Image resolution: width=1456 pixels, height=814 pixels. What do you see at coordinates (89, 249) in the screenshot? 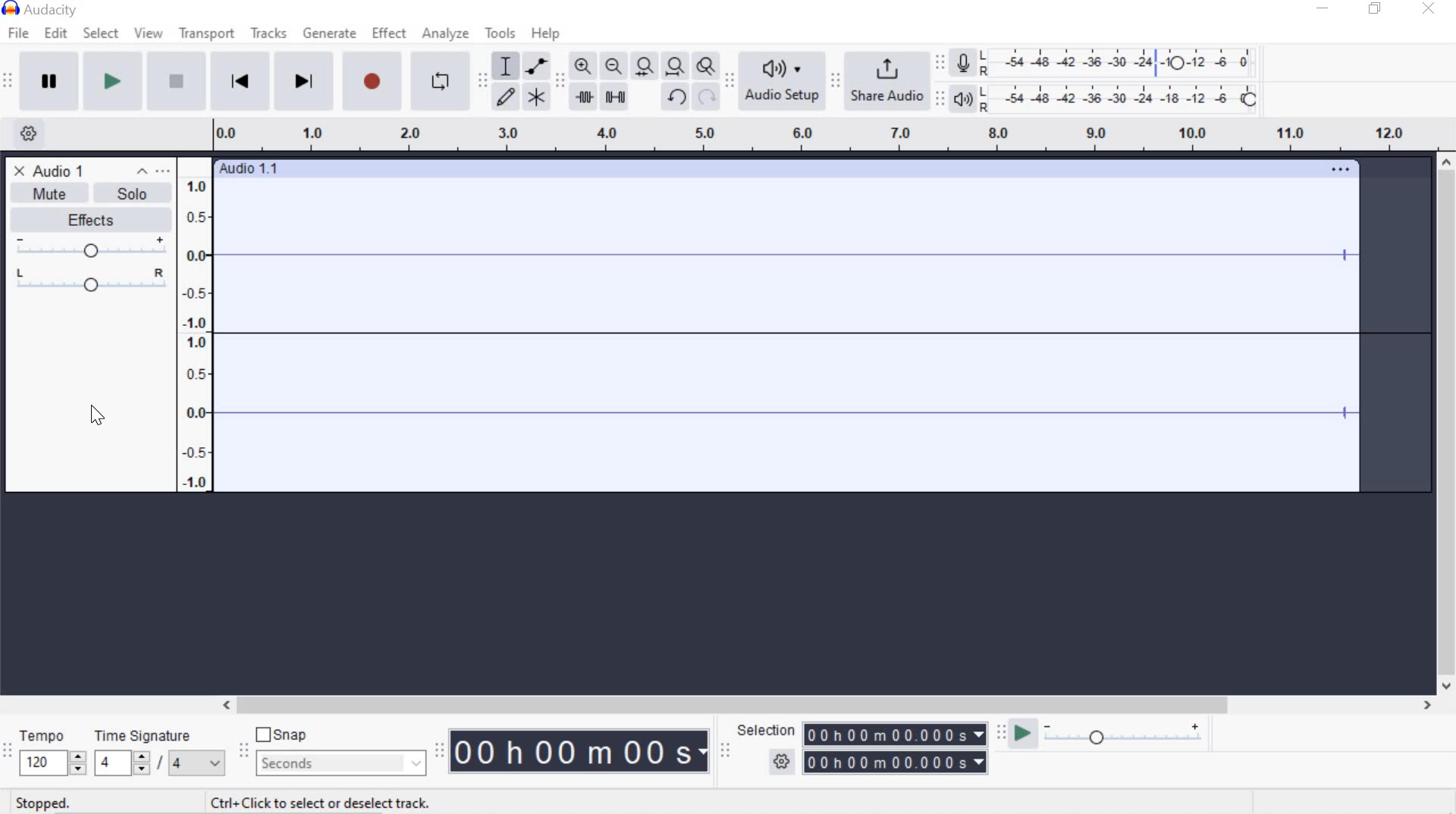
I see `Gain` at bounding box center [89, 249].